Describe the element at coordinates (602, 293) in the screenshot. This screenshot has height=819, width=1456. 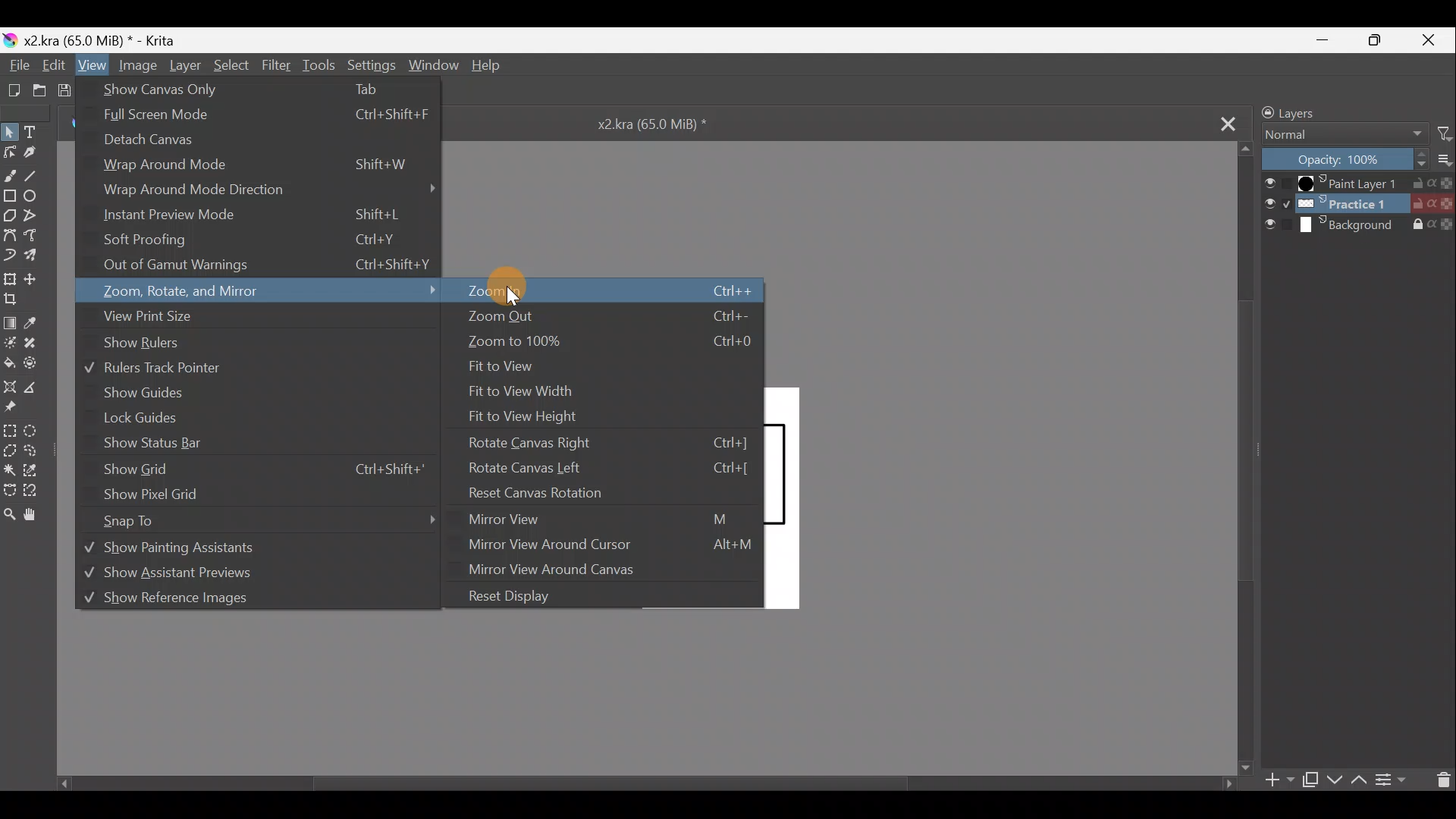
I see `Zoom In  Ctrl++` at that location.